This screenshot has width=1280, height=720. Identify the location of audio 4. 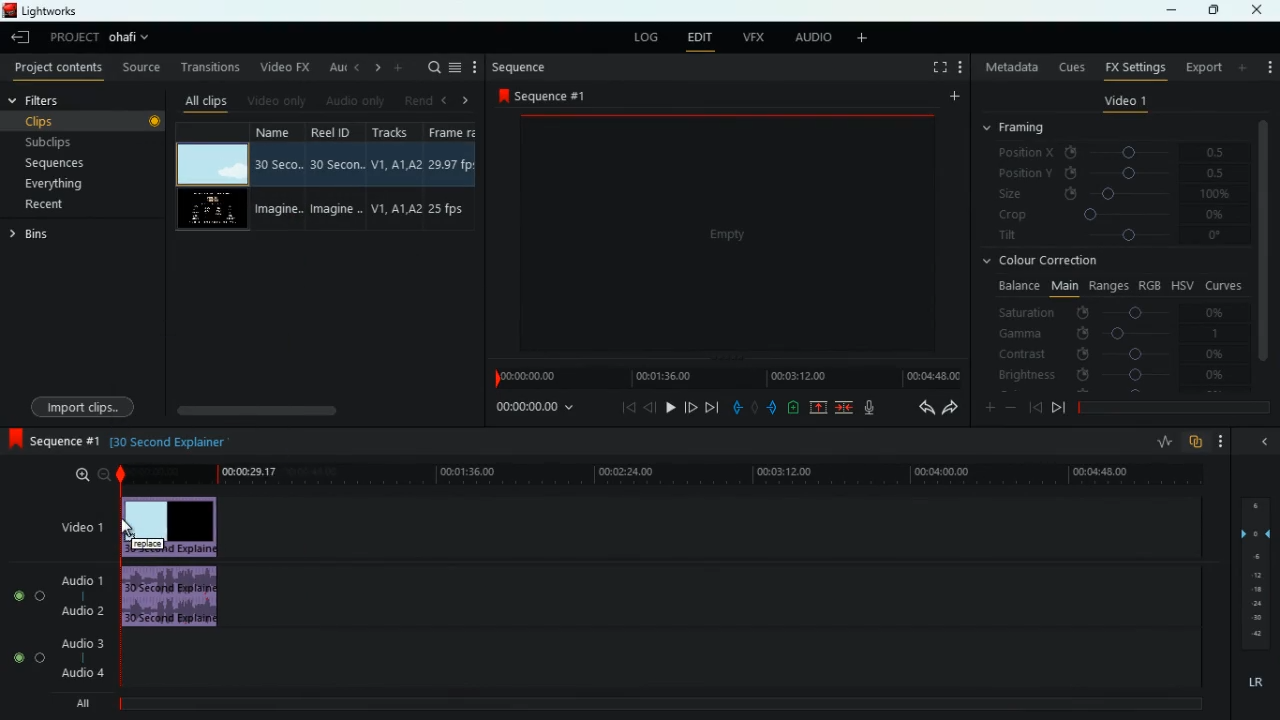
(79, 672).